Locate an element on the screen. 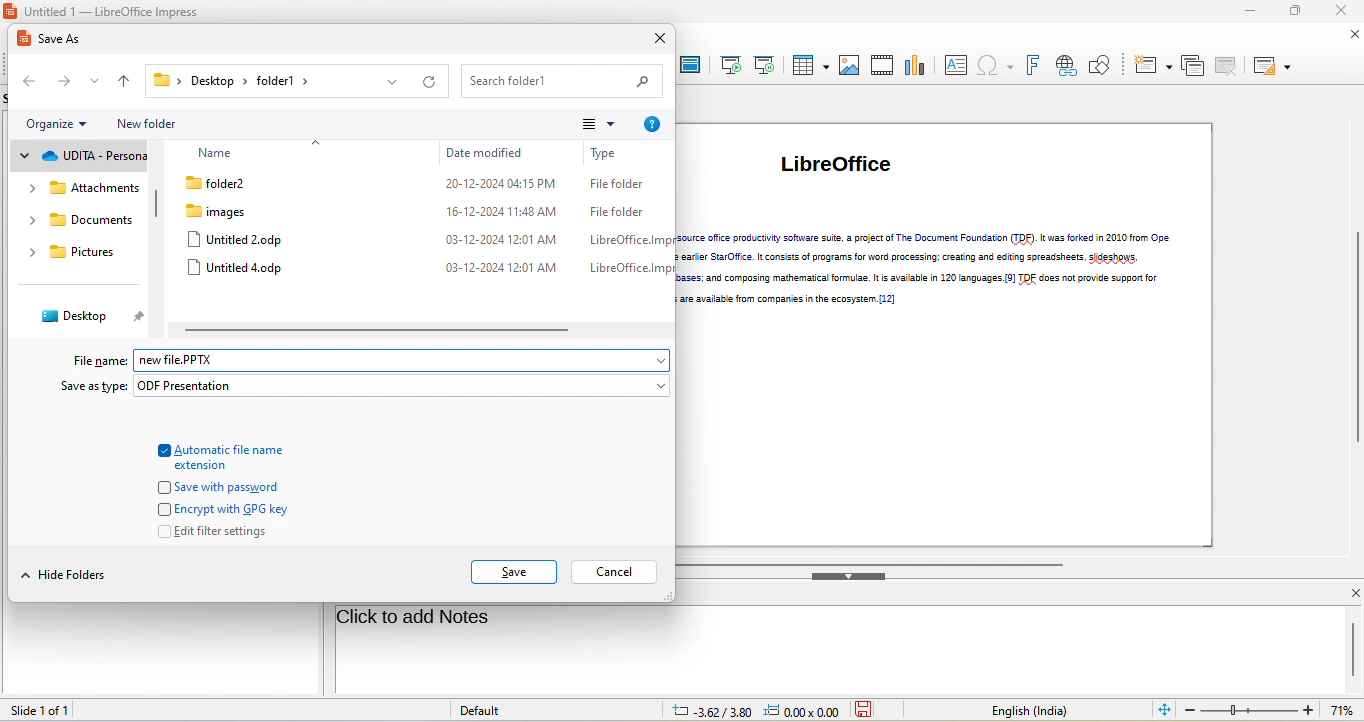 This screenshot has width=1364, height=722. start from current slide  is located at coordinates (767, 65).